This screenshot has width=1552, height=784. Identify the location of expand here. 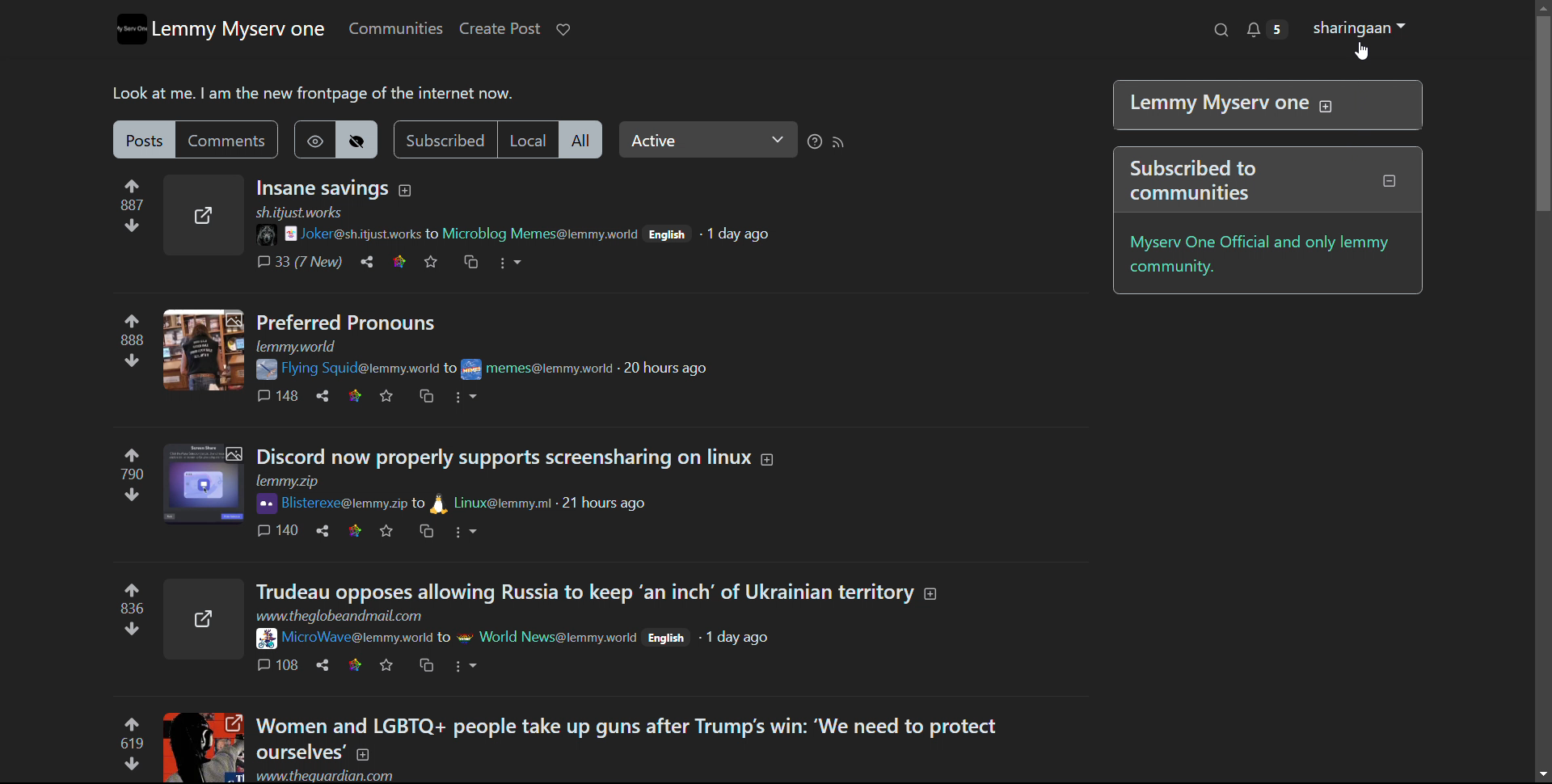
(201, 214).